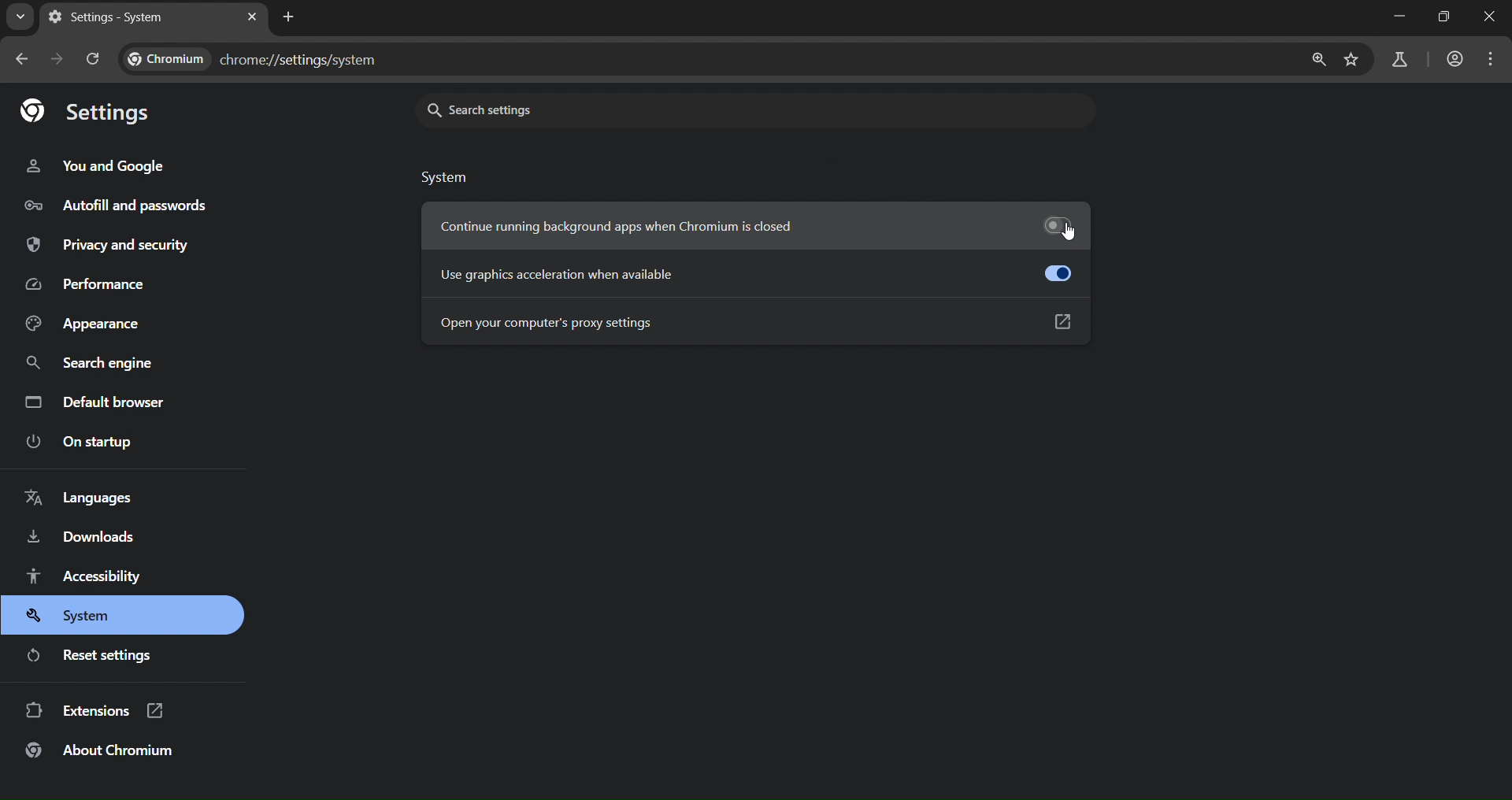  What do you see at coordinates (20, 61) in the screenshot?
I see `go back one page` at bounding box center [20, 61].